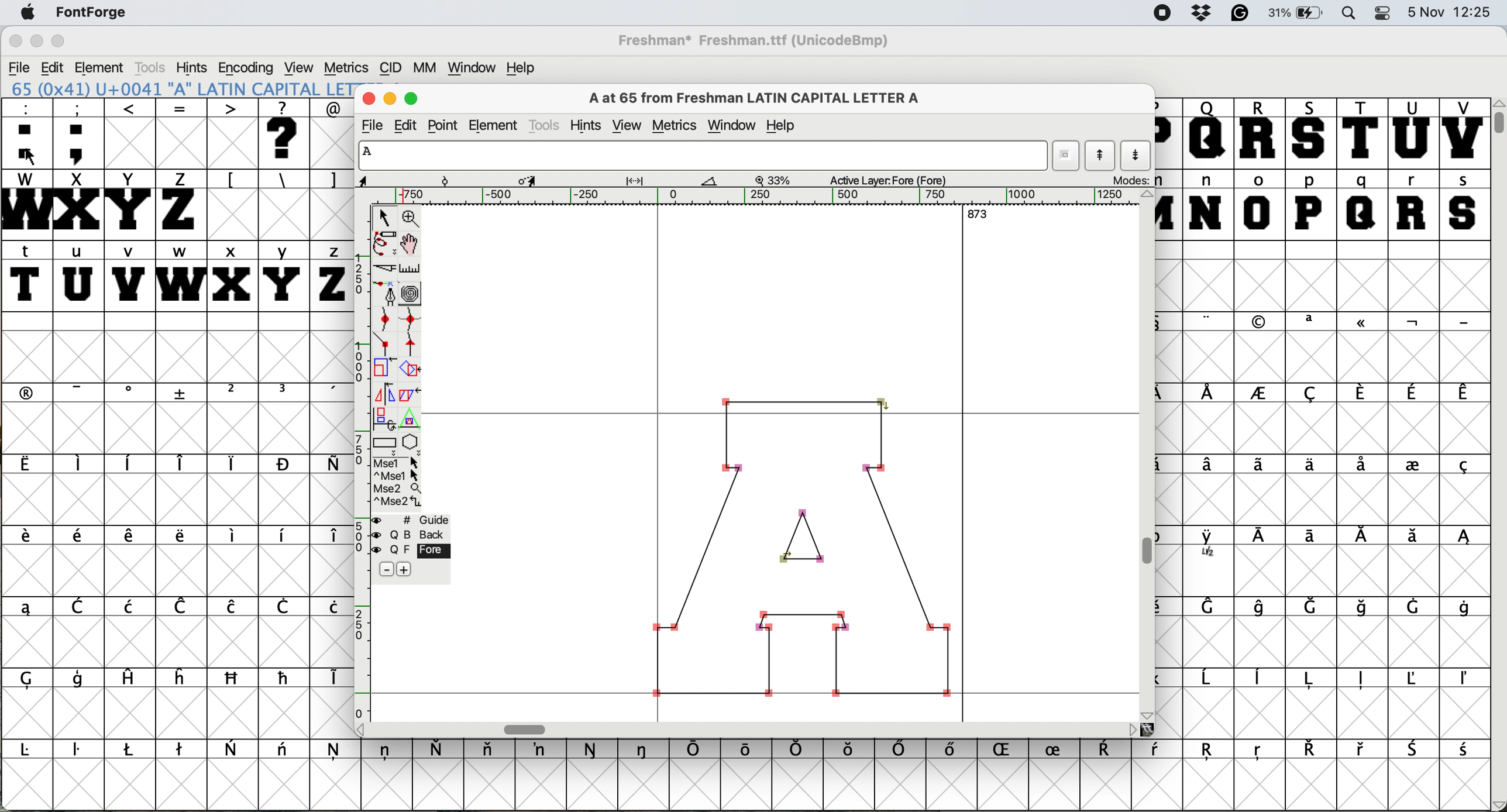 The width and height of the screenshot is (1507, 812). I want to click on symbol, so click(1412, 322).